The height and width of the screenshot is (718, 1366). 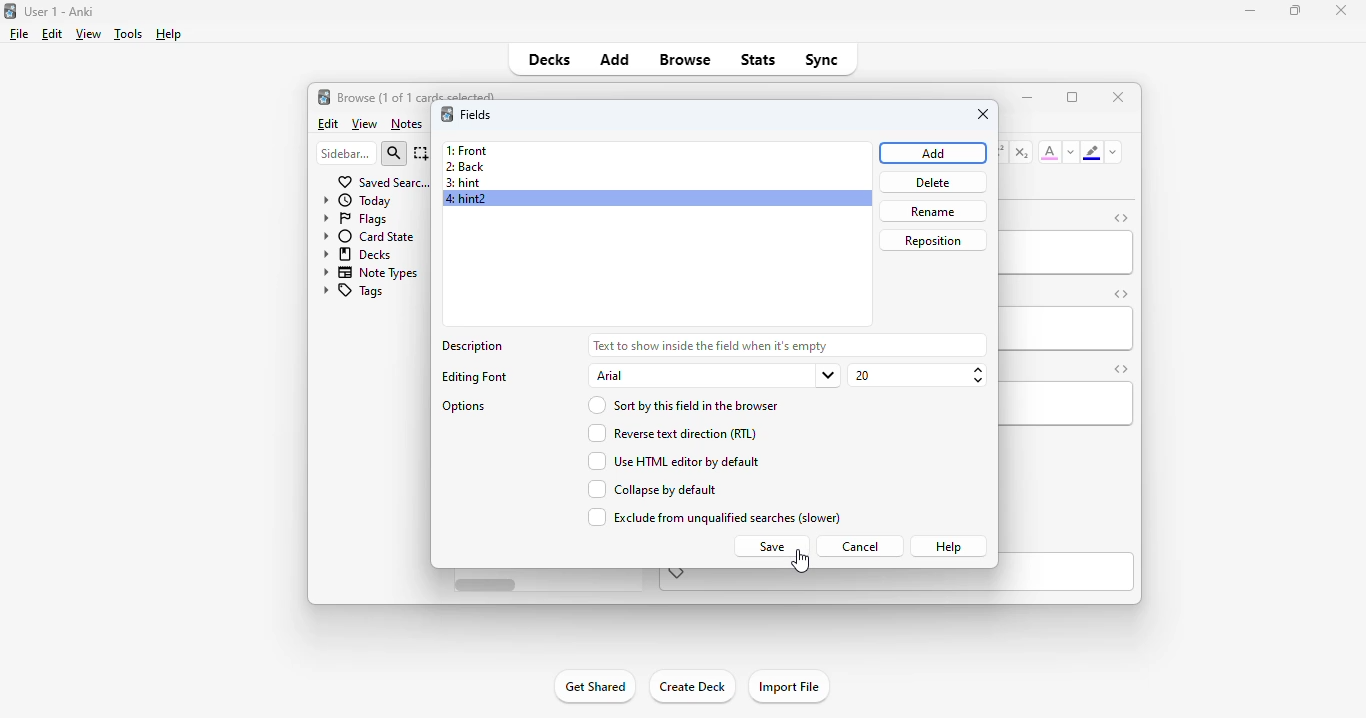 What do you see at coordinates (759, 59) in the screenshot?
I see `stats` at bounding box center [759, 59].